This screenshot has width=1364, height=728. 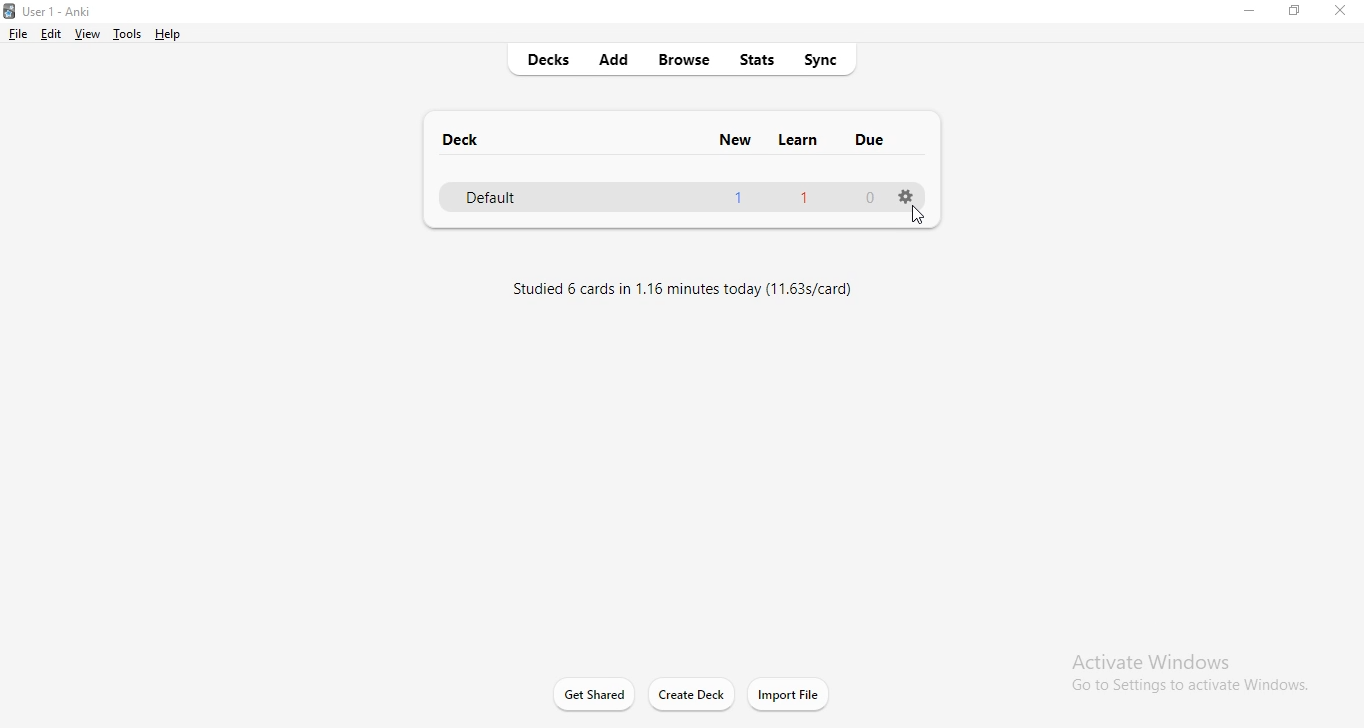 I want to click on default, so click(x=664, y=197).